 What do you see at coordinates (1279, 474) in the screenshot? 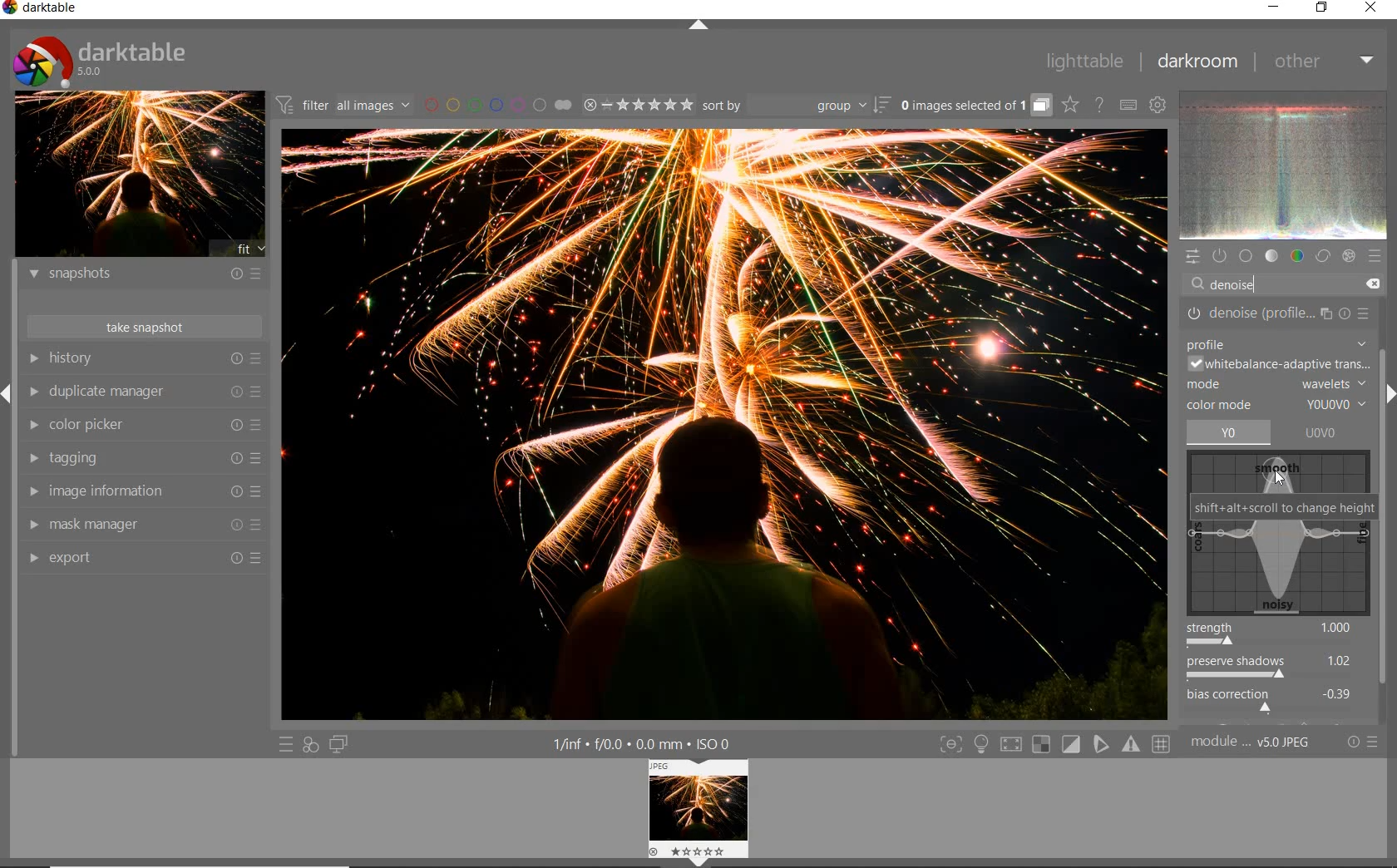
I see `cursor` at bounding box center [1279, 474].